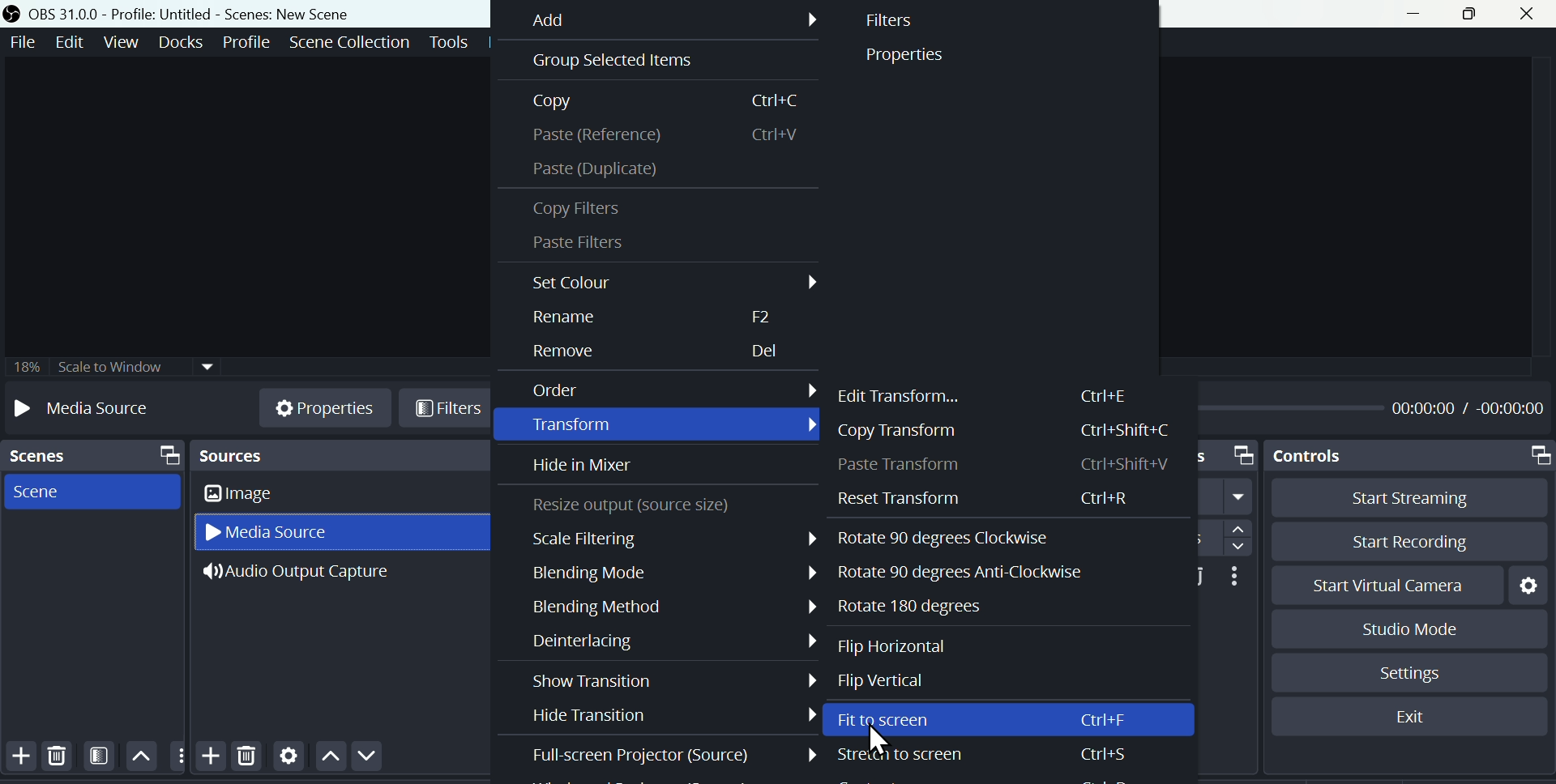 This screenshot has height=784, width=1556. Describe the element at coordinates (340, 455) in the screenshot. I see `Source` at that location.